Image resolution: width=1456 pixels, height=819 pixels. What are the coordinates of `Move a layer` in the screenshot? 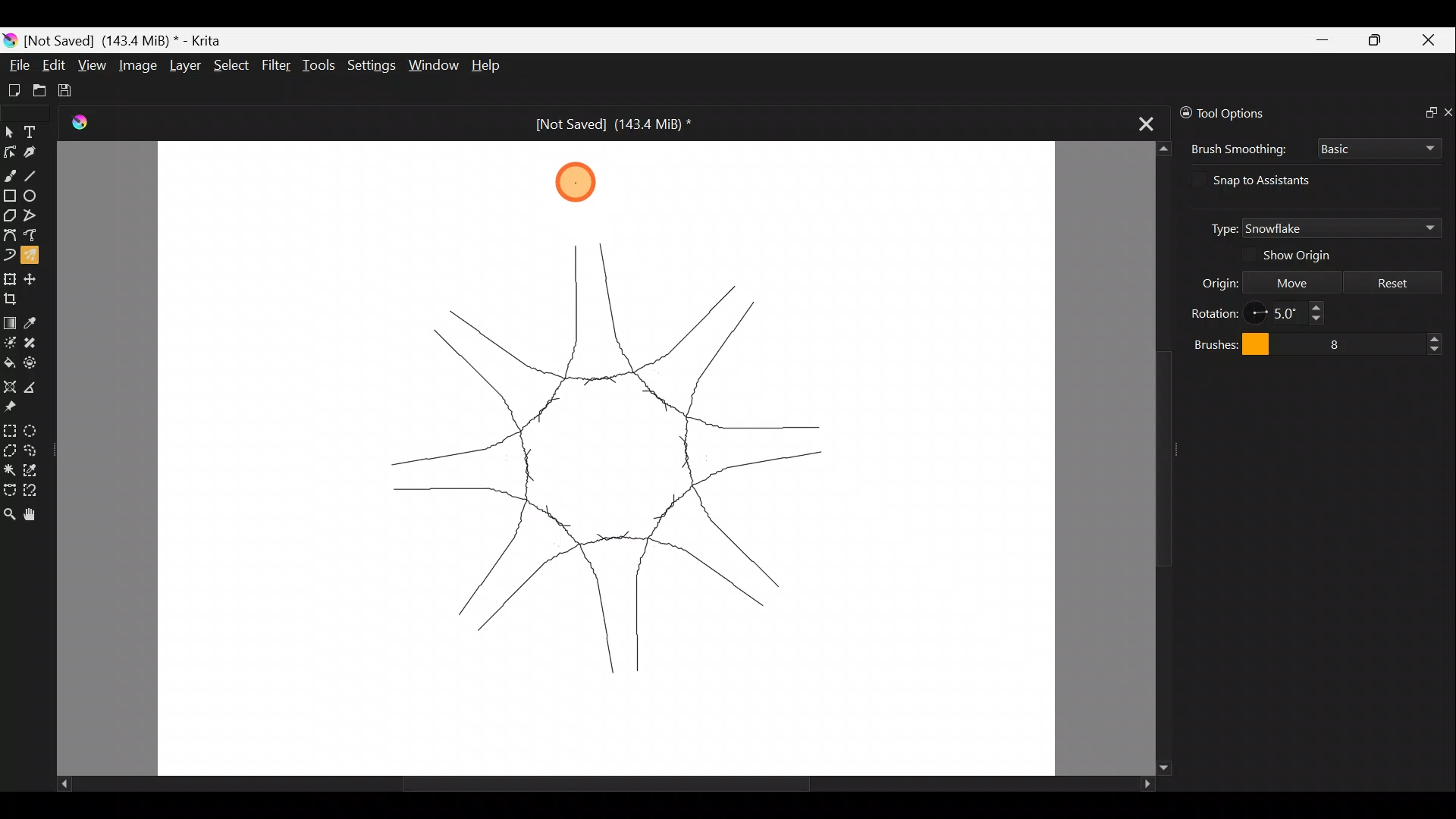 It's located at (33, 278).